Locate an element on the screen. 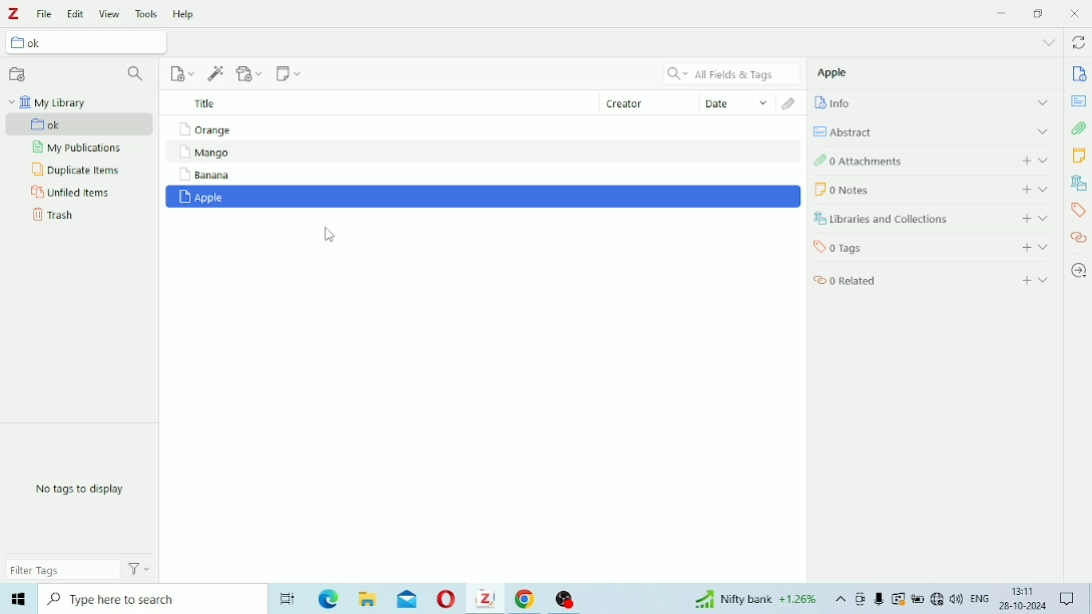 The height and width of the screenshot is (614, 1092). Libraries and collections is located at coordinates (1079, 183).